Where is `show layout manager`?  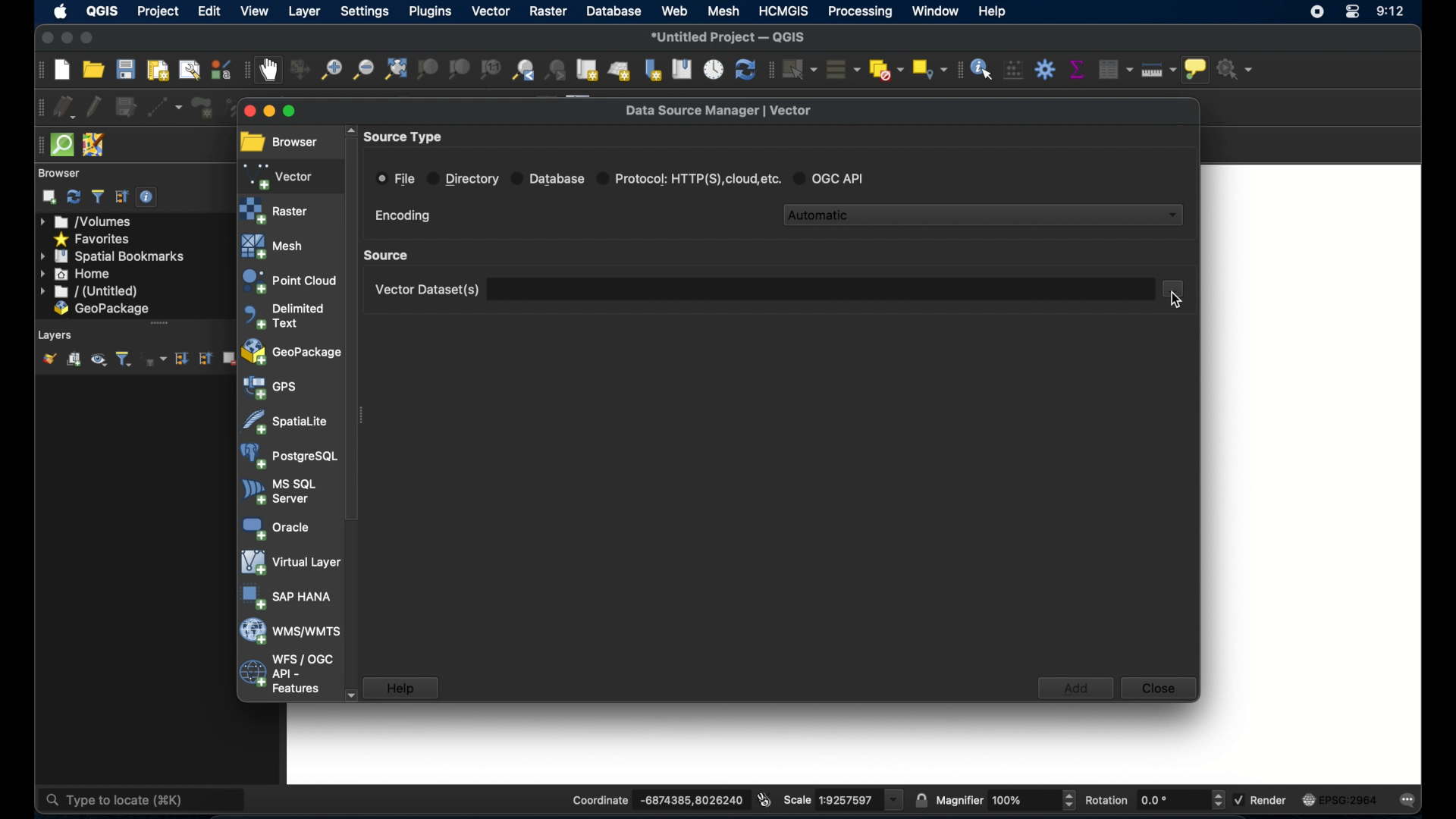 show layout manager is located at coordinates (188, 69).